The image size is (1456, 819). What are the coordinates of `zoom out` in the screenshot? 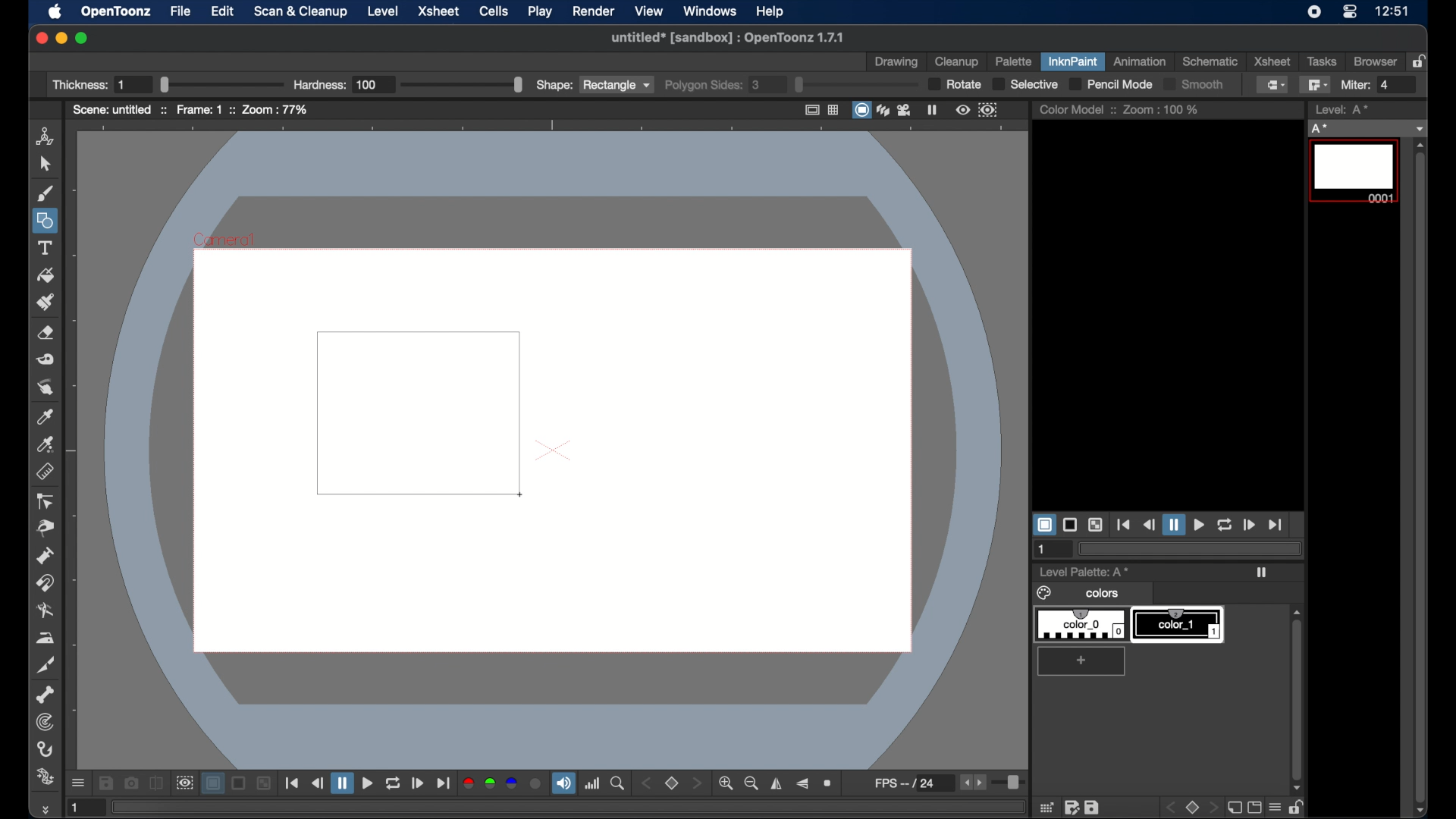 It's located at (752, 783).